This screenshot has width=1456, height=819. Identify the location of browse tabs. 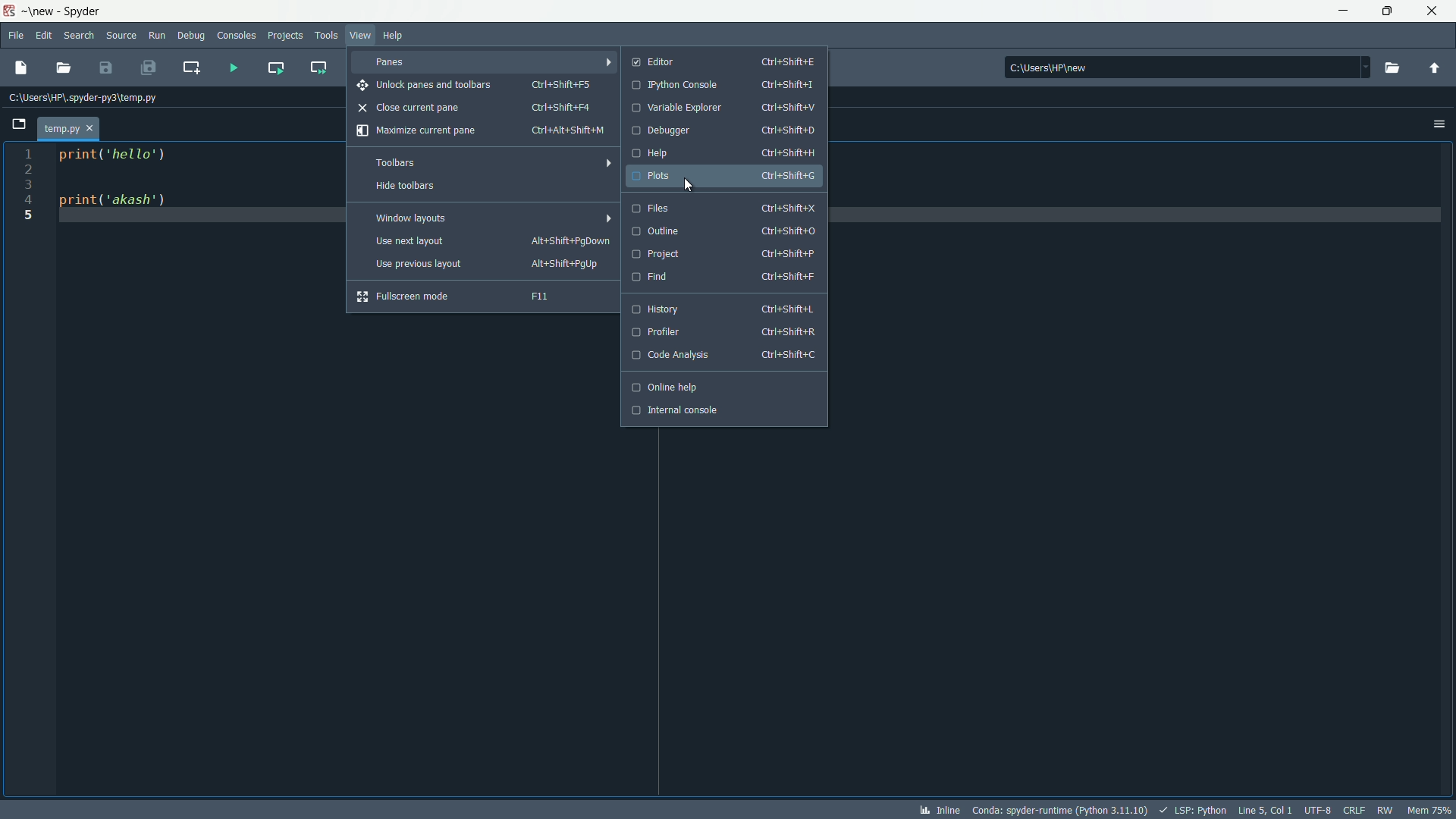
(18, 124).